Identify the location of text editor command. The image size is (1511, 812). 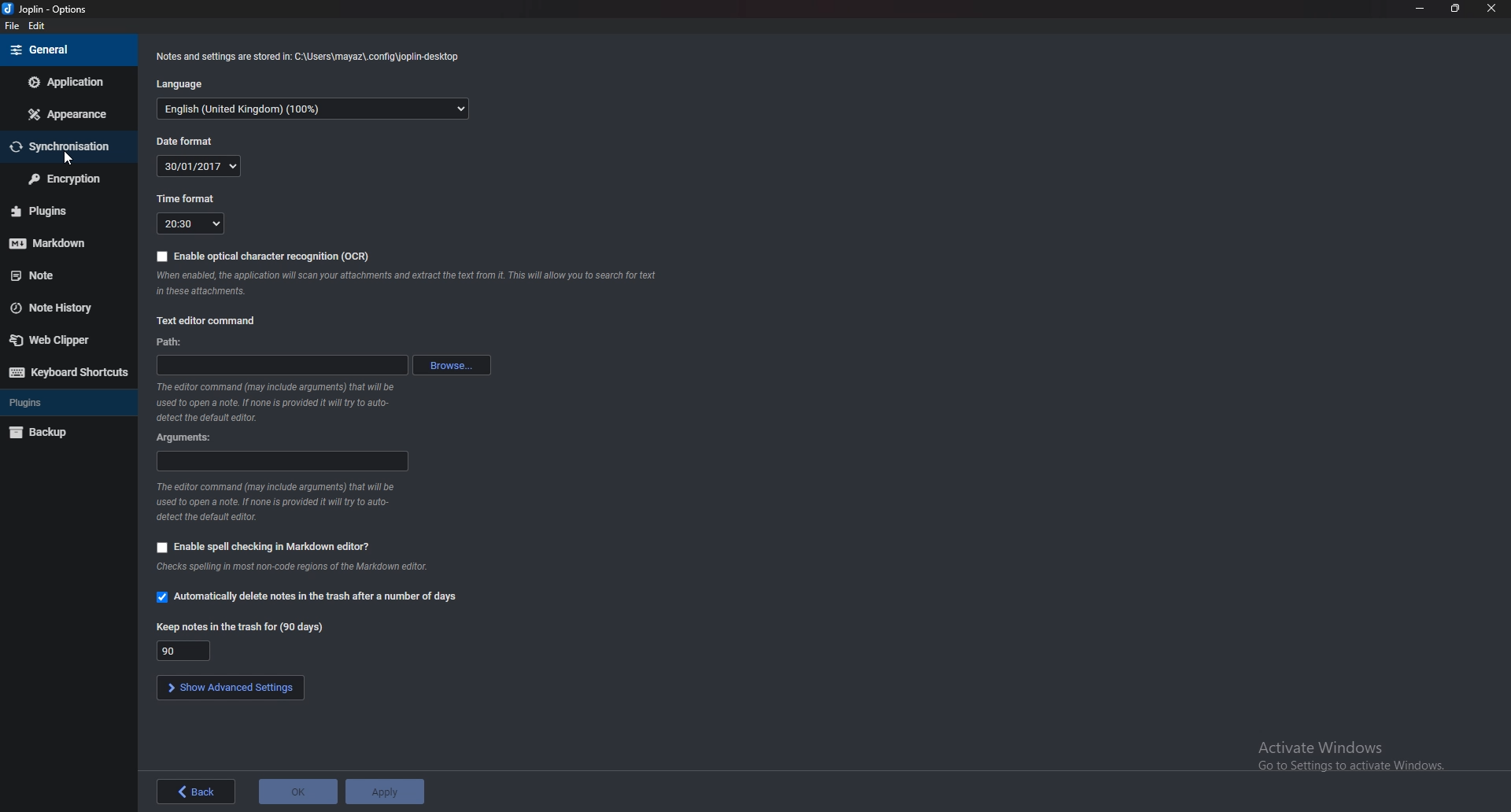
(207, 321).